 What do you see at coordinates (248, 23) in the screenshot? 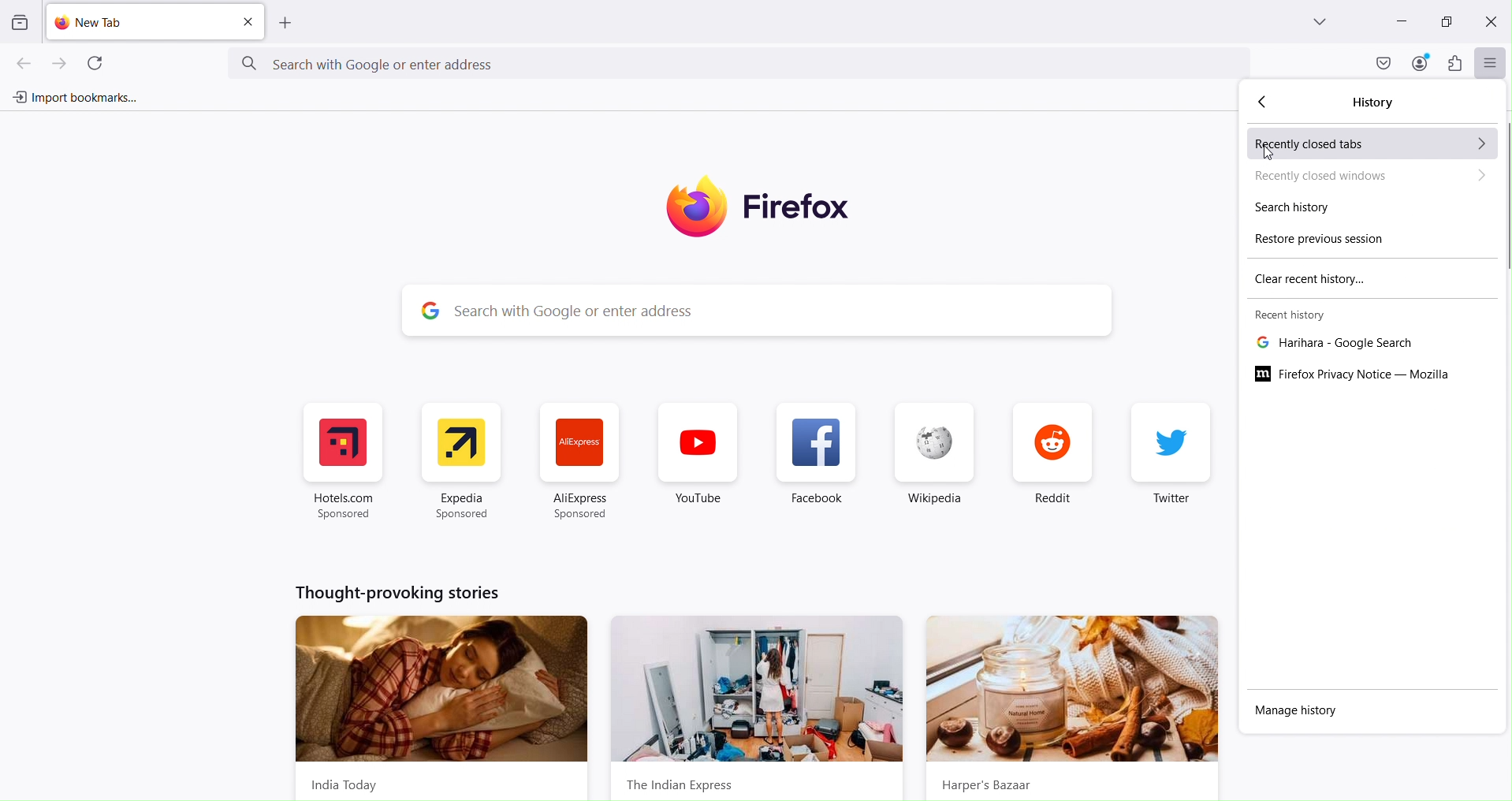
I see `close` at bounding box center [248, 23].